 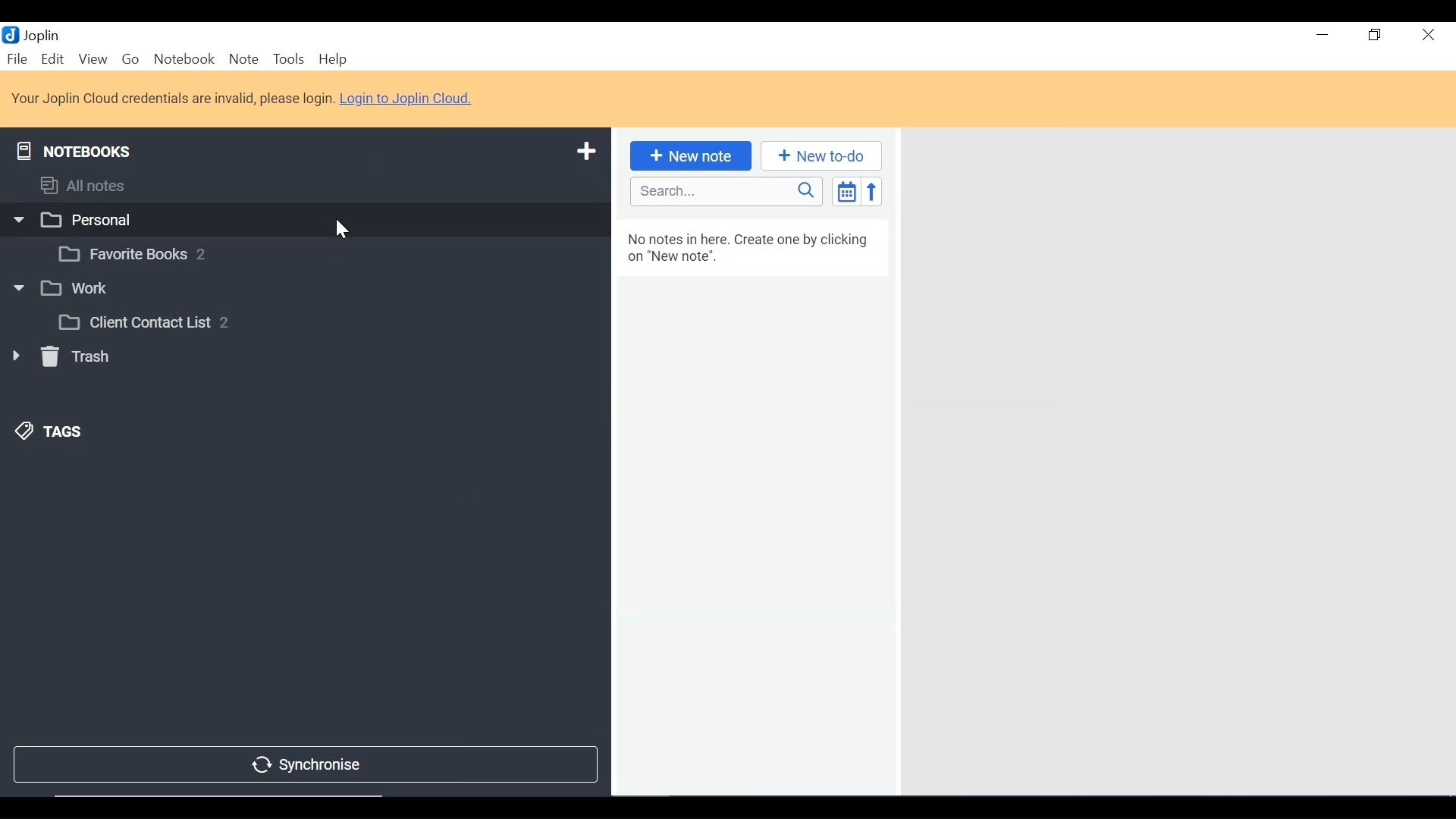 I want to click on Reverse Order, so click(x=871, y=191).